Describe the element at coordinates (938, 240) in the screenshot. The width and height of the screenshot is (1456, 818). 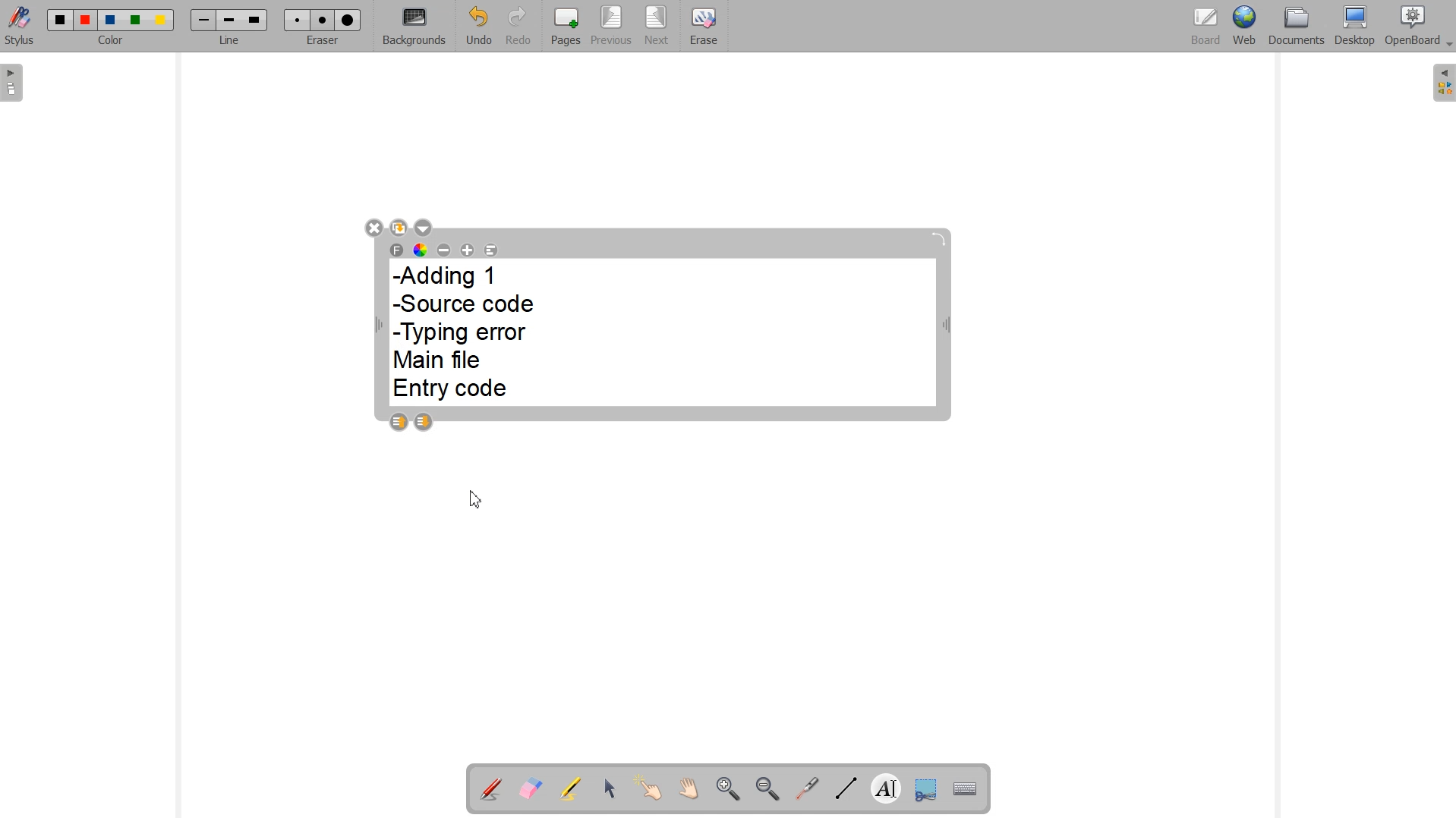
I see `Rotate block` at that location.